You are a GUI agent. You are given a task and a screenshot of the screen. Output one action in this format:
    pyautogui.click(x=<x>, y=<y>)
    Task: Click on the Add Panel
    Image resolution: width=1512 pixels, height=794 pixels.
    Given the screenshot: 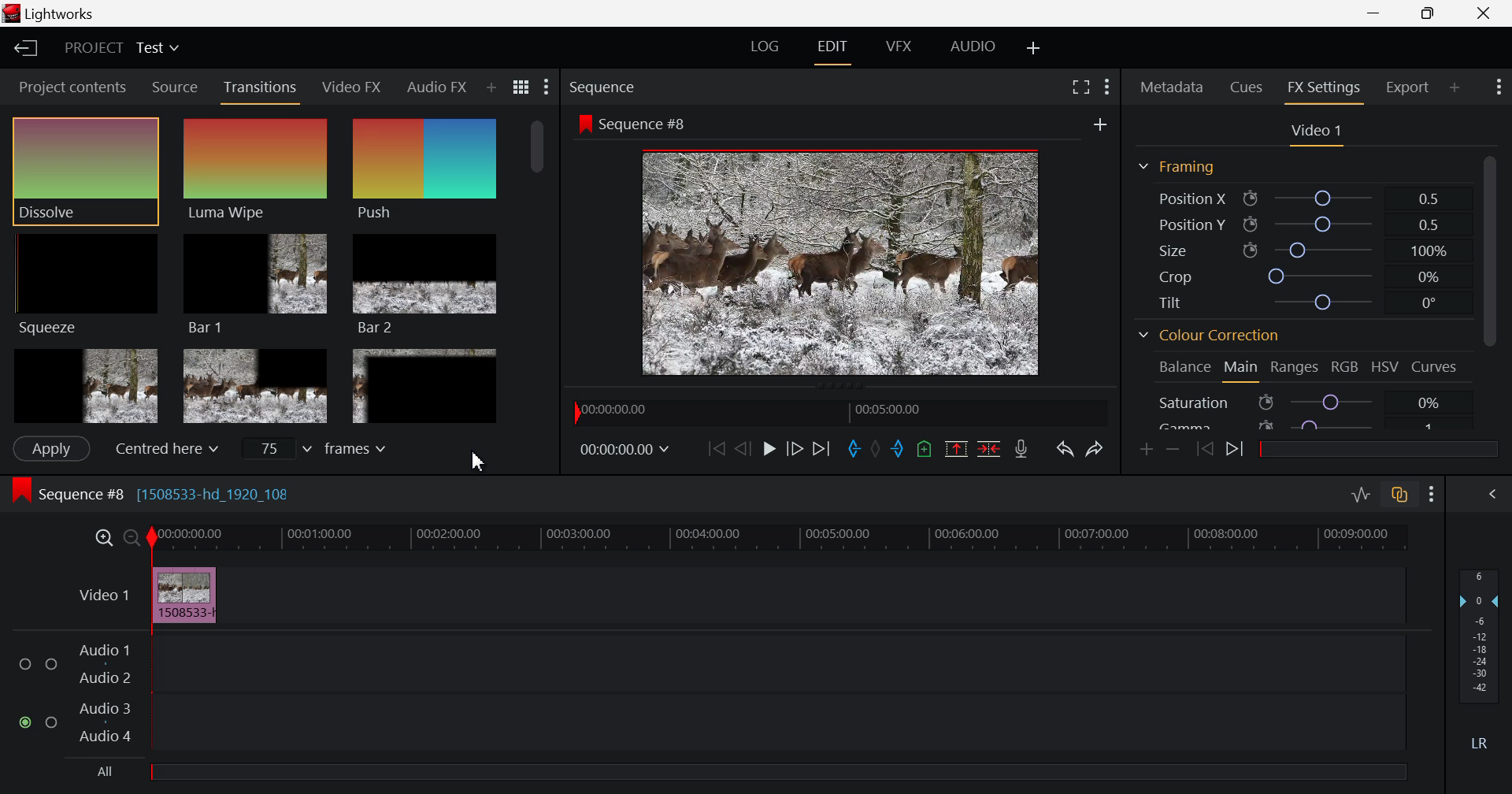 What is the action you would take?
    pyautogui.click(x=491, y=84)
    